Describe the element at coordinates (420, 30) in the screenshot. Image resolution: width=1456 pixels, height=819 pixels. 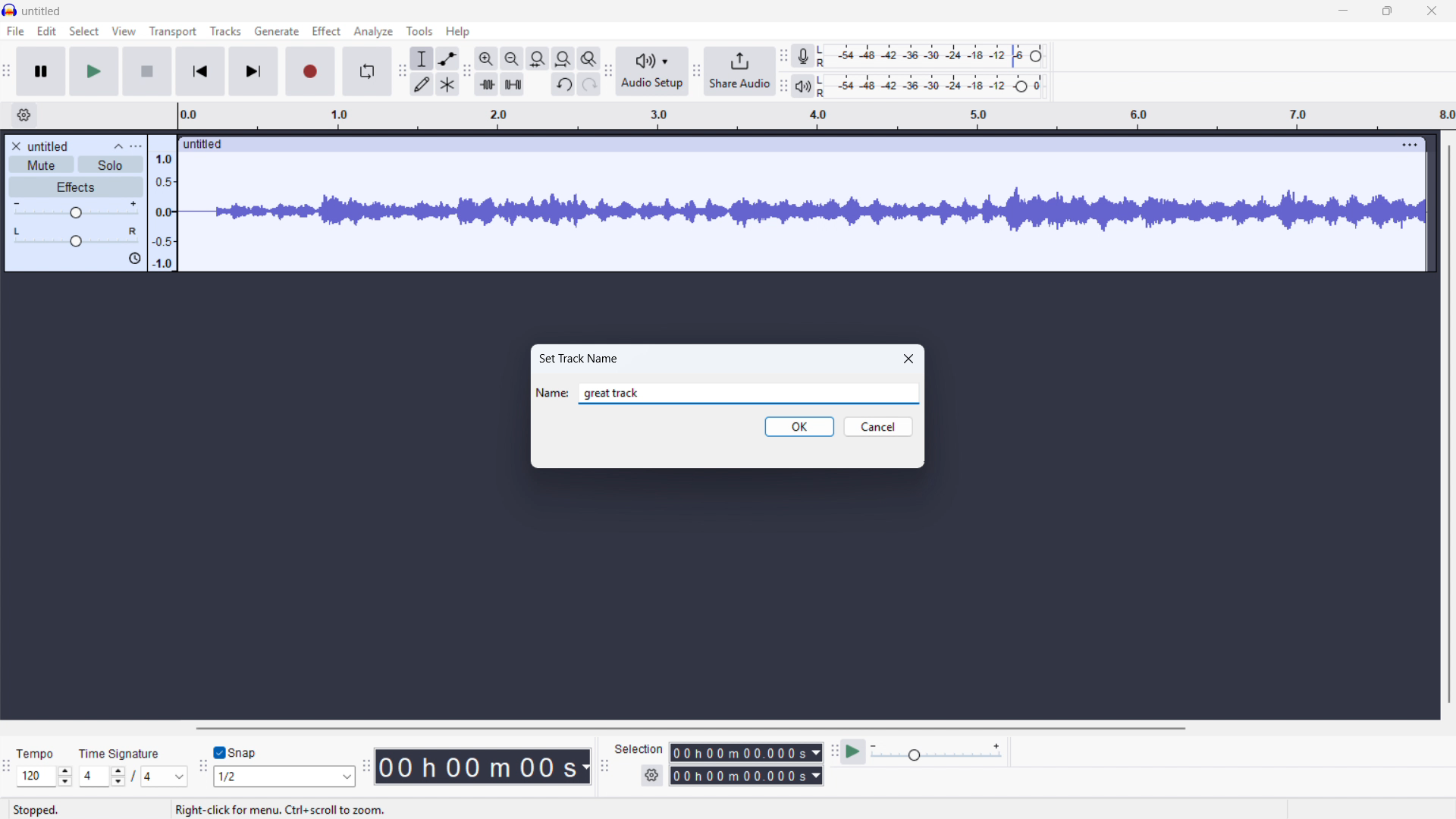
I see `Tools ` at that location.